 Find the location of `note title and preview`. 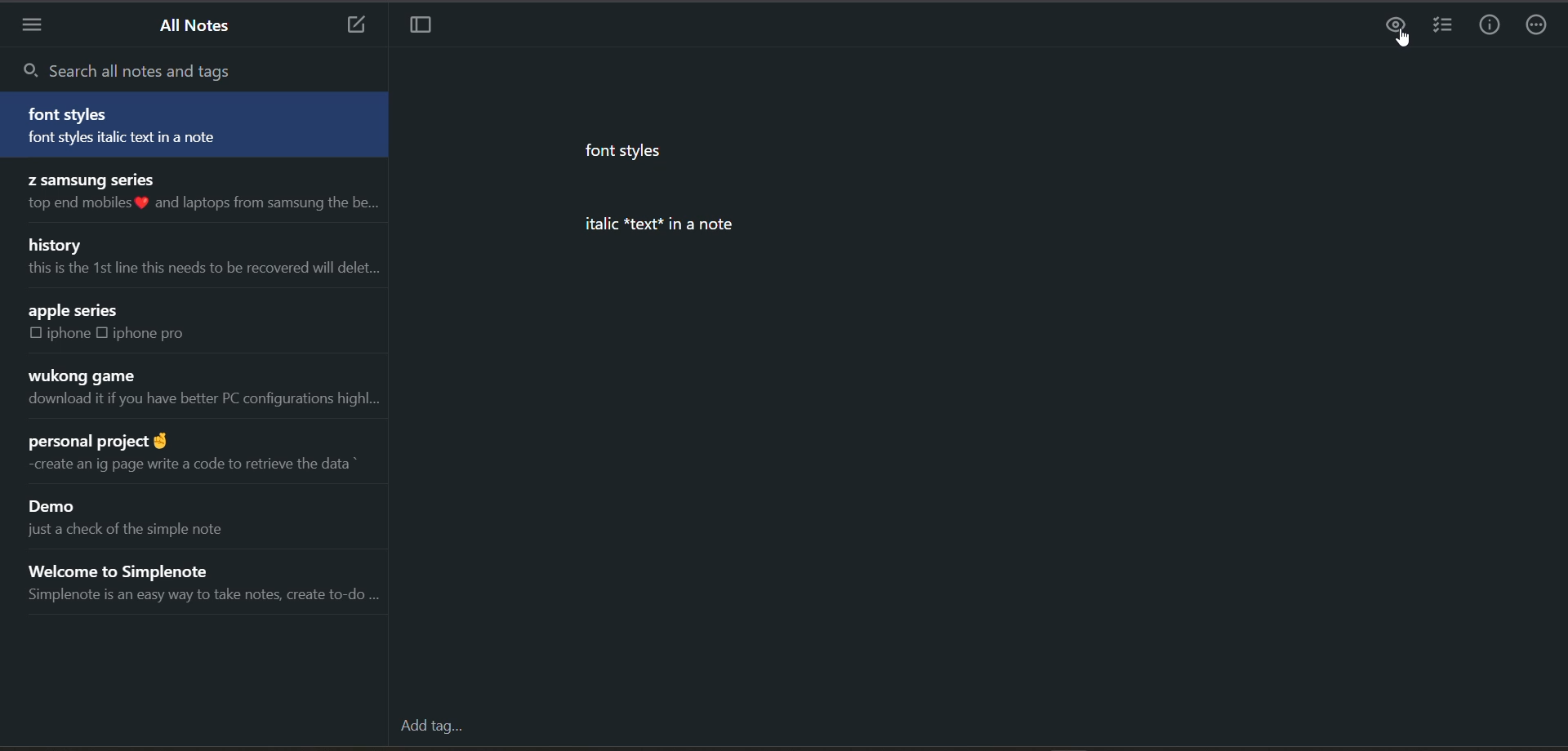

note title and preview is located at coordinates (203, 259).